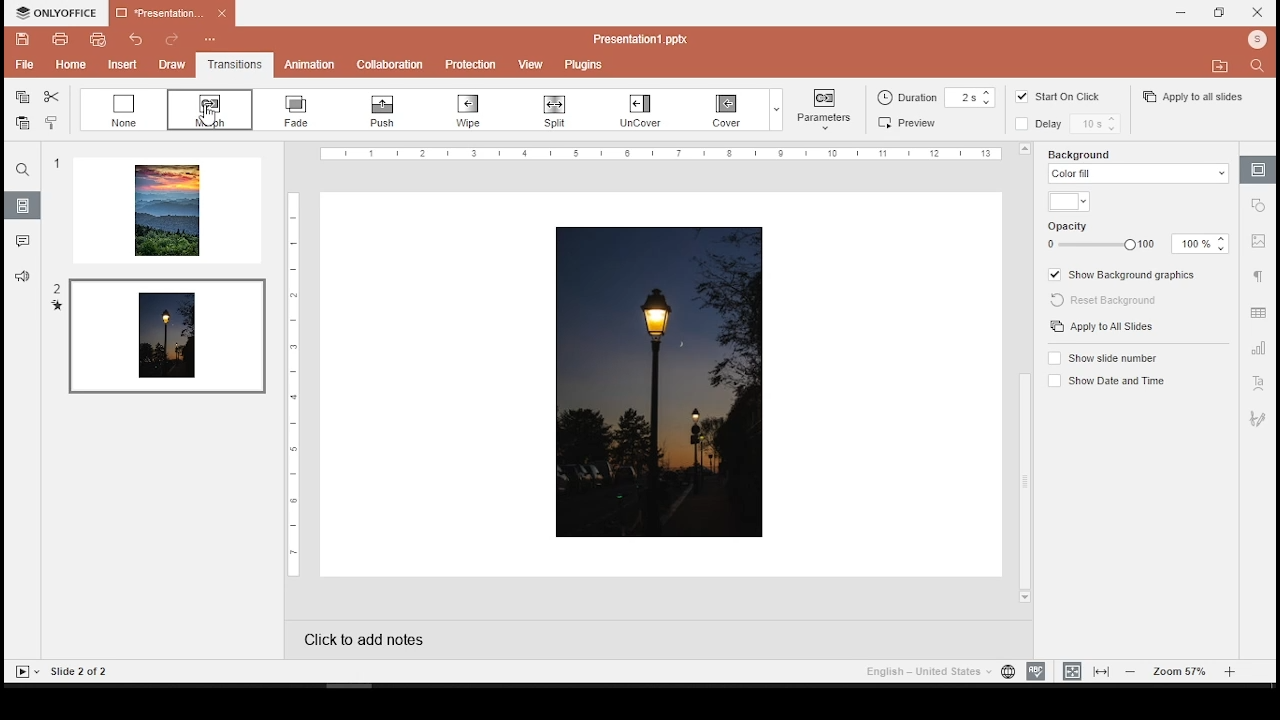 This screenshot has width=1280, height=720. Describe the element at coordinates (53, 12) in the screenshot. I see `onlyoffice` at that location.